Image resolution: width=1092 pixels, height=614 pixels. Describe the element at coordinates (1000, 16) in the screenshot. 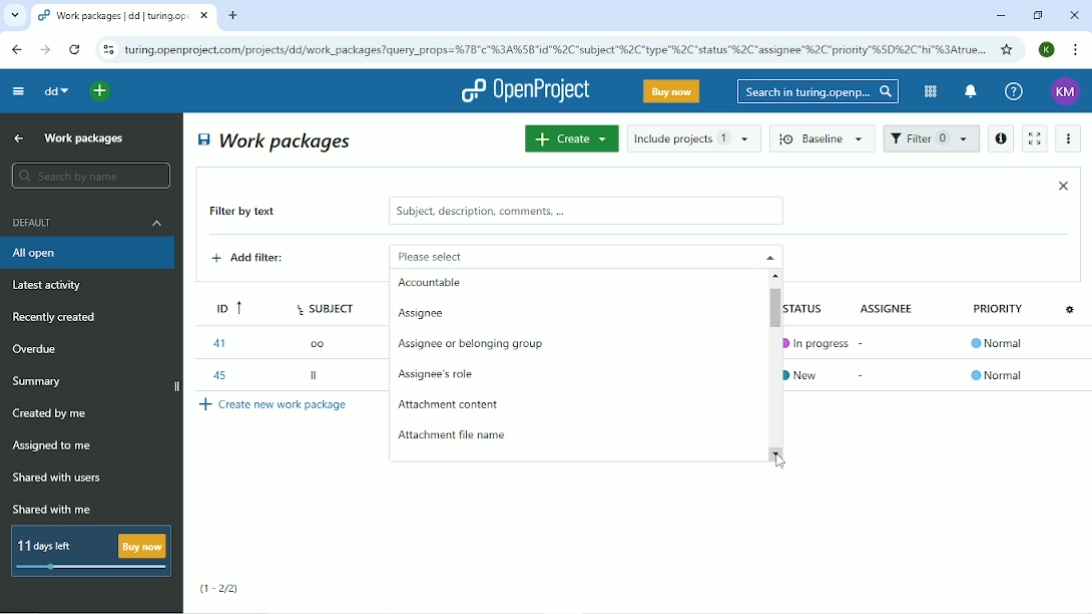

I see `Minimize` at that location.